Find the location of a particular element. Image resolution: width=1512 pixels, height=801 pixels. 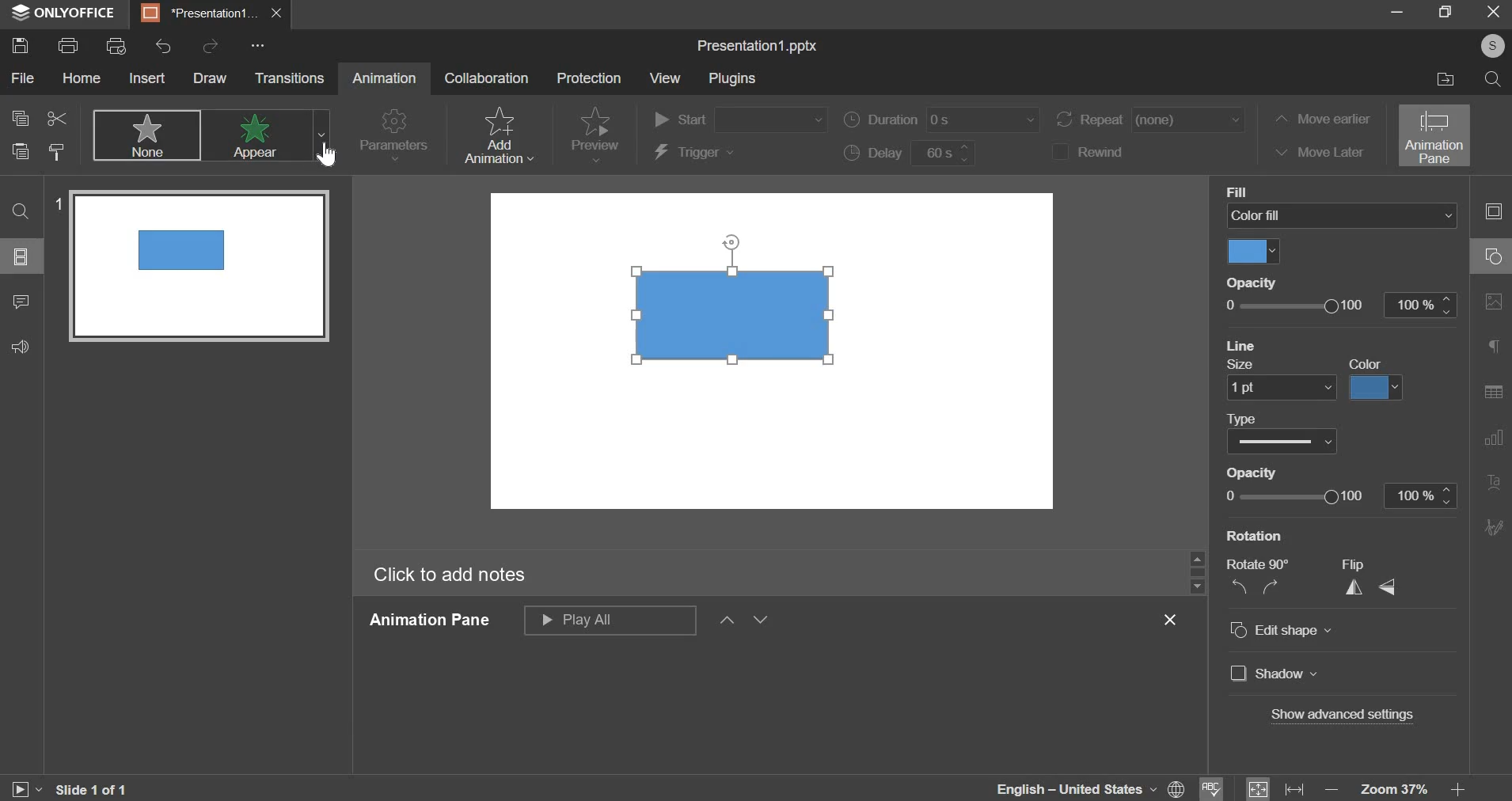

down is located at coordinates (762, 621).